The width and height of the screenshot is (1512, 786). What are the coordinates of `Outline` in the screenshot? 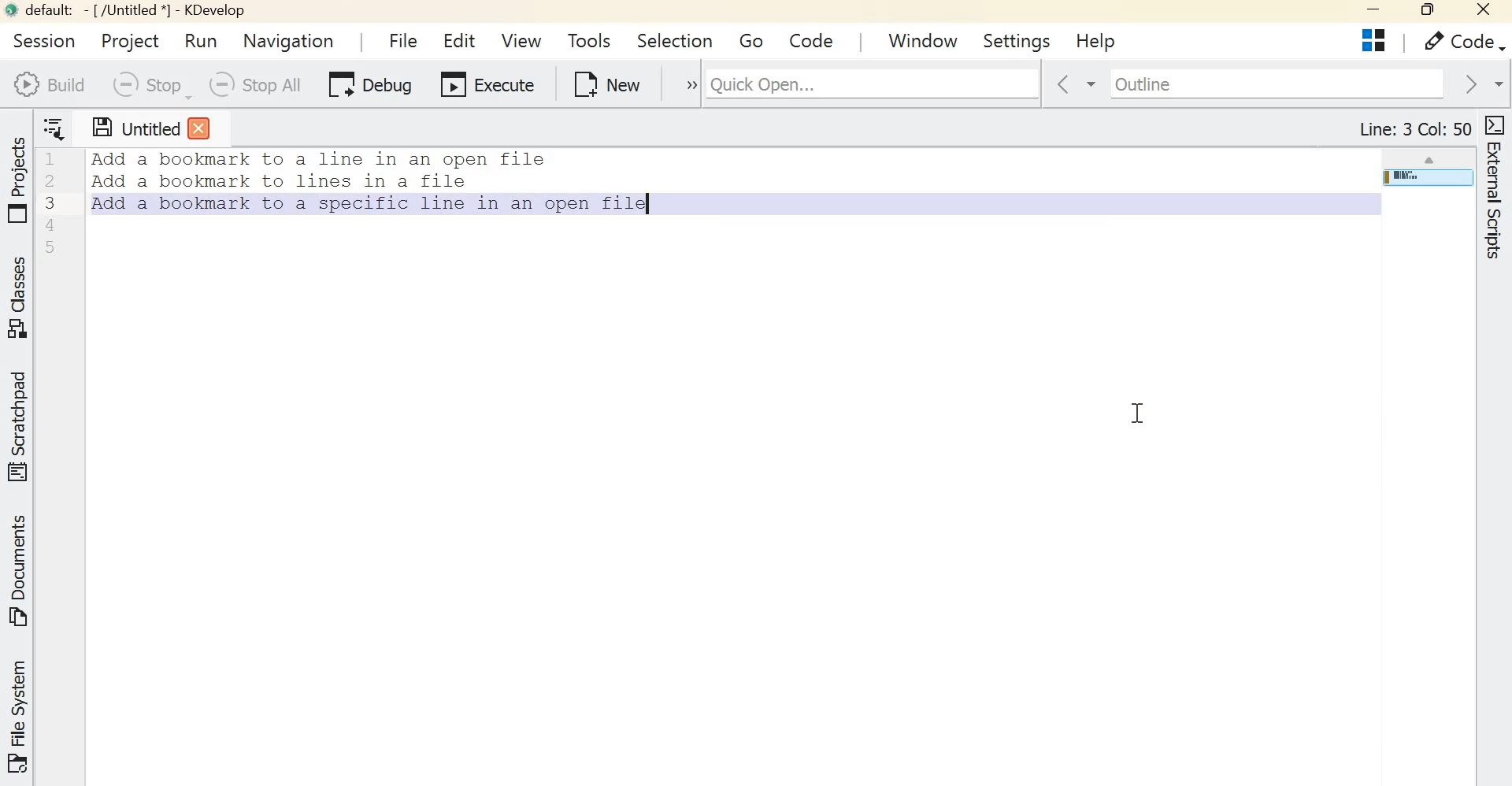 It's located at (1274, 83).